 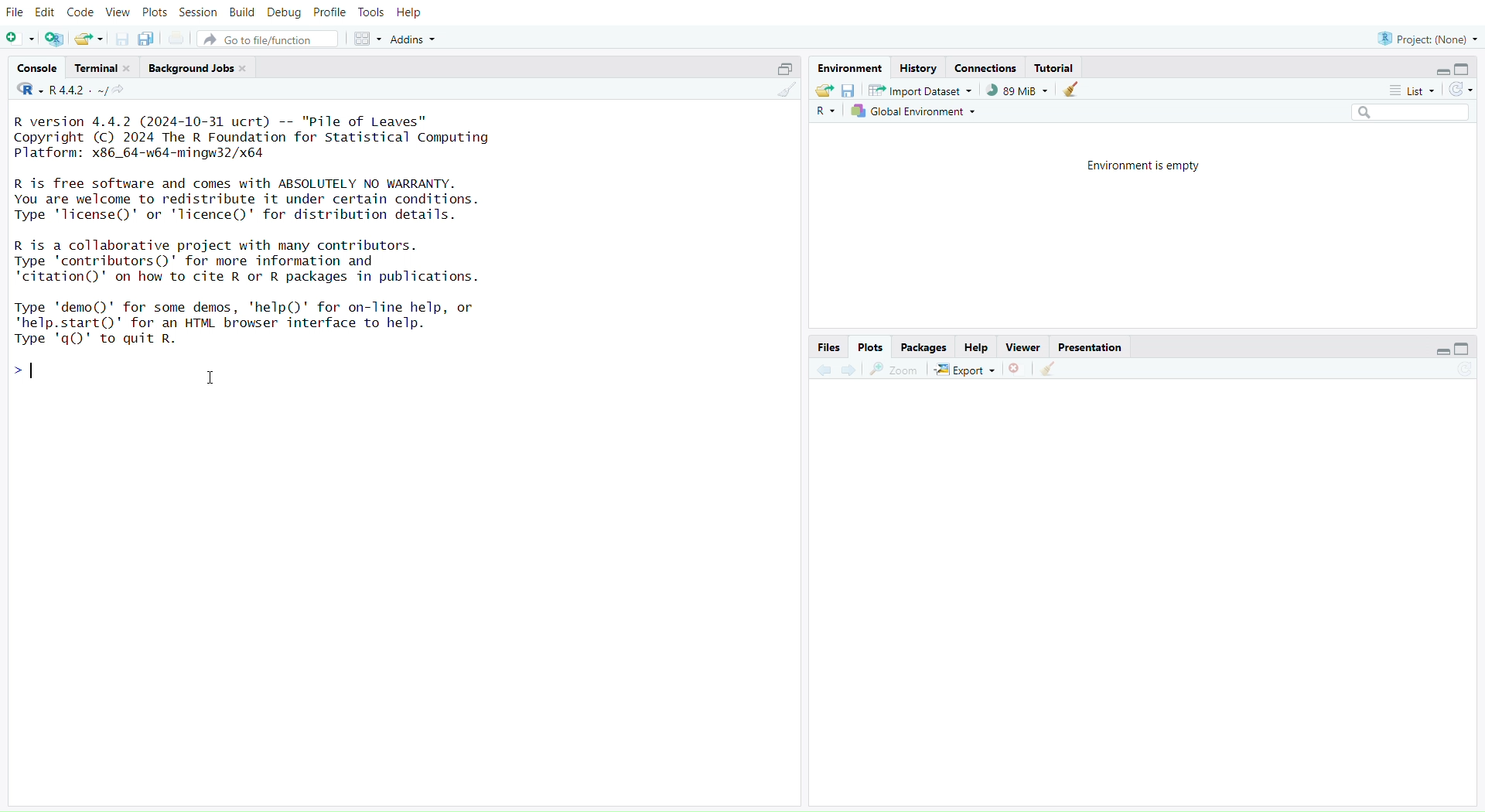 What do you see at coordinates (100, 67) in the screenshot?
I see `Terminal` at bounding box center [100, 67].